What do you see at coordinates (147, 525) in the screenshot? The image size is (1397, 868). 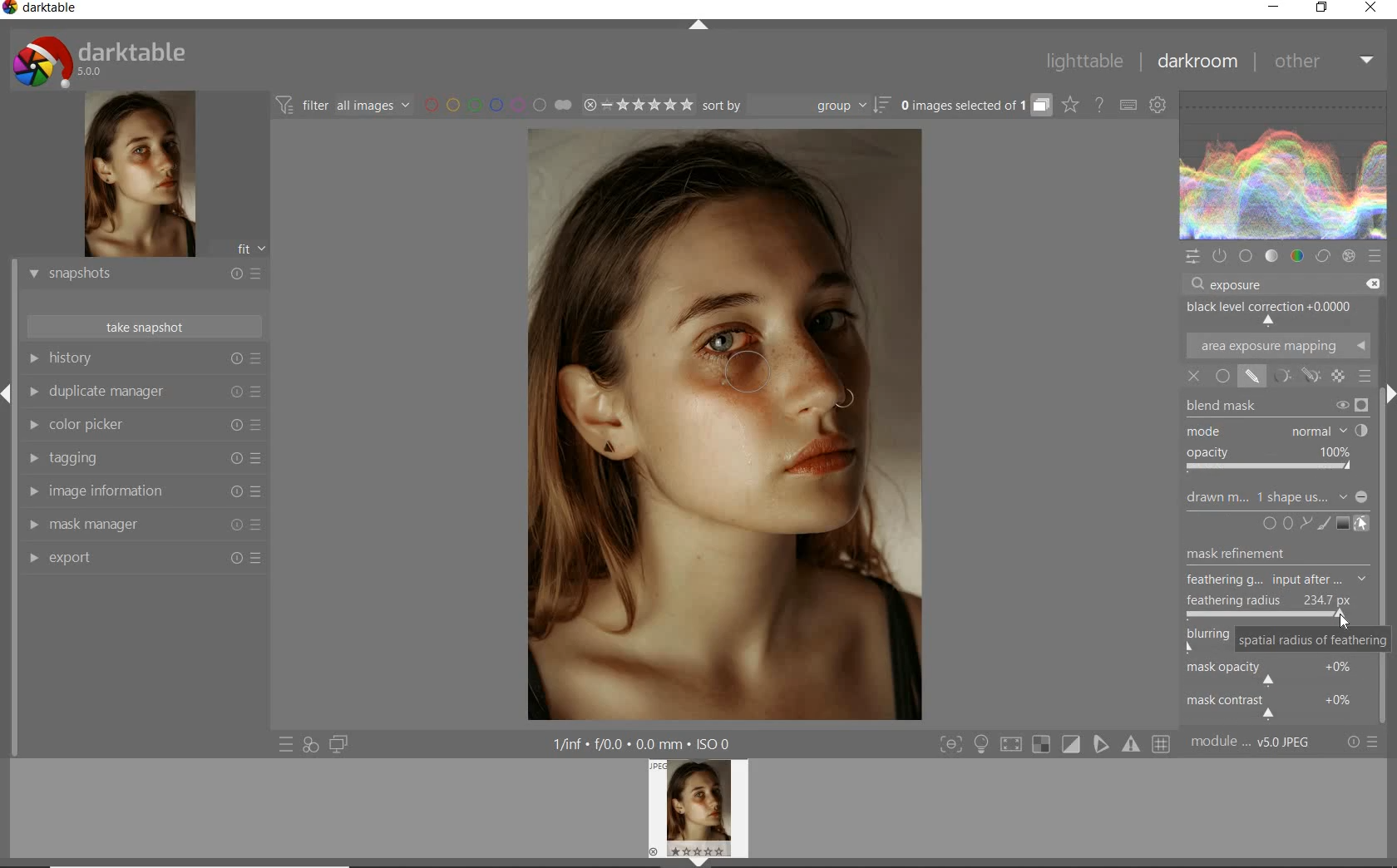 I see `mask manager` at bounding box center [147, 525].